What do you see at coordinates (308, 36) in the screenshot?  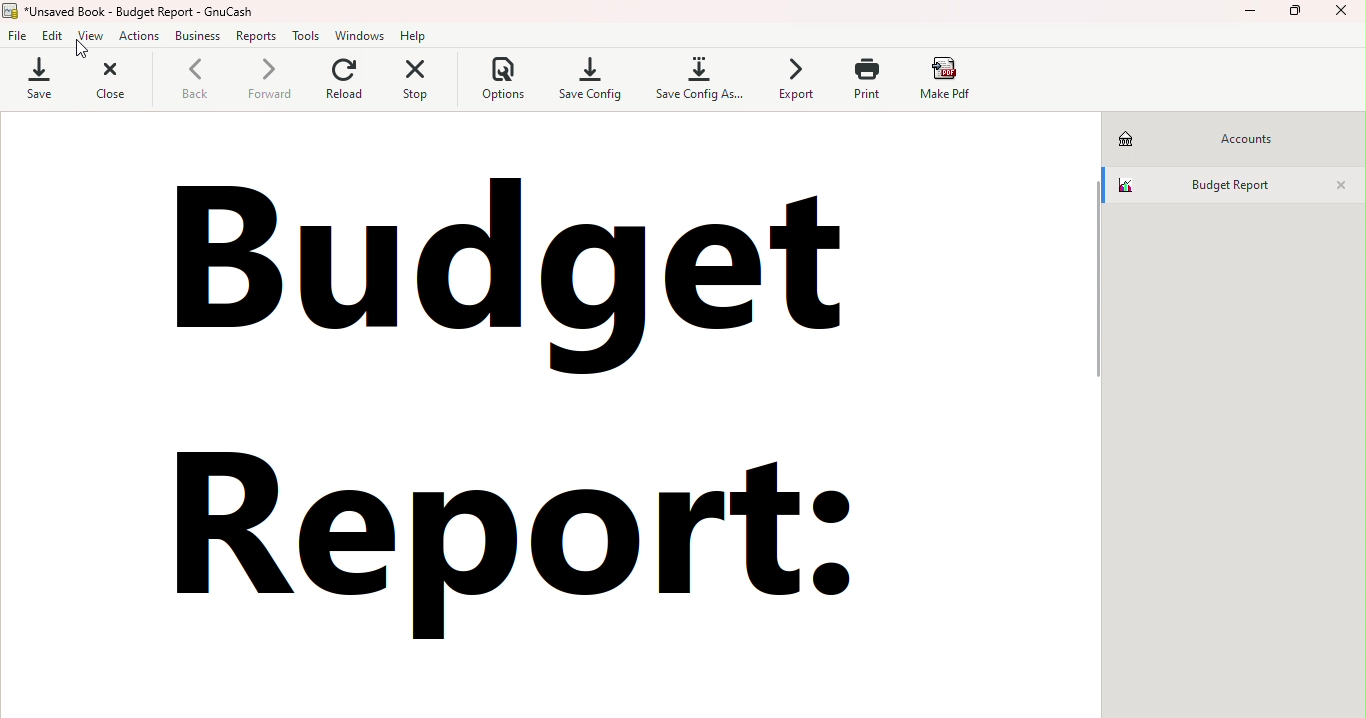 I see `Tools` at bounding box center [308, 36].